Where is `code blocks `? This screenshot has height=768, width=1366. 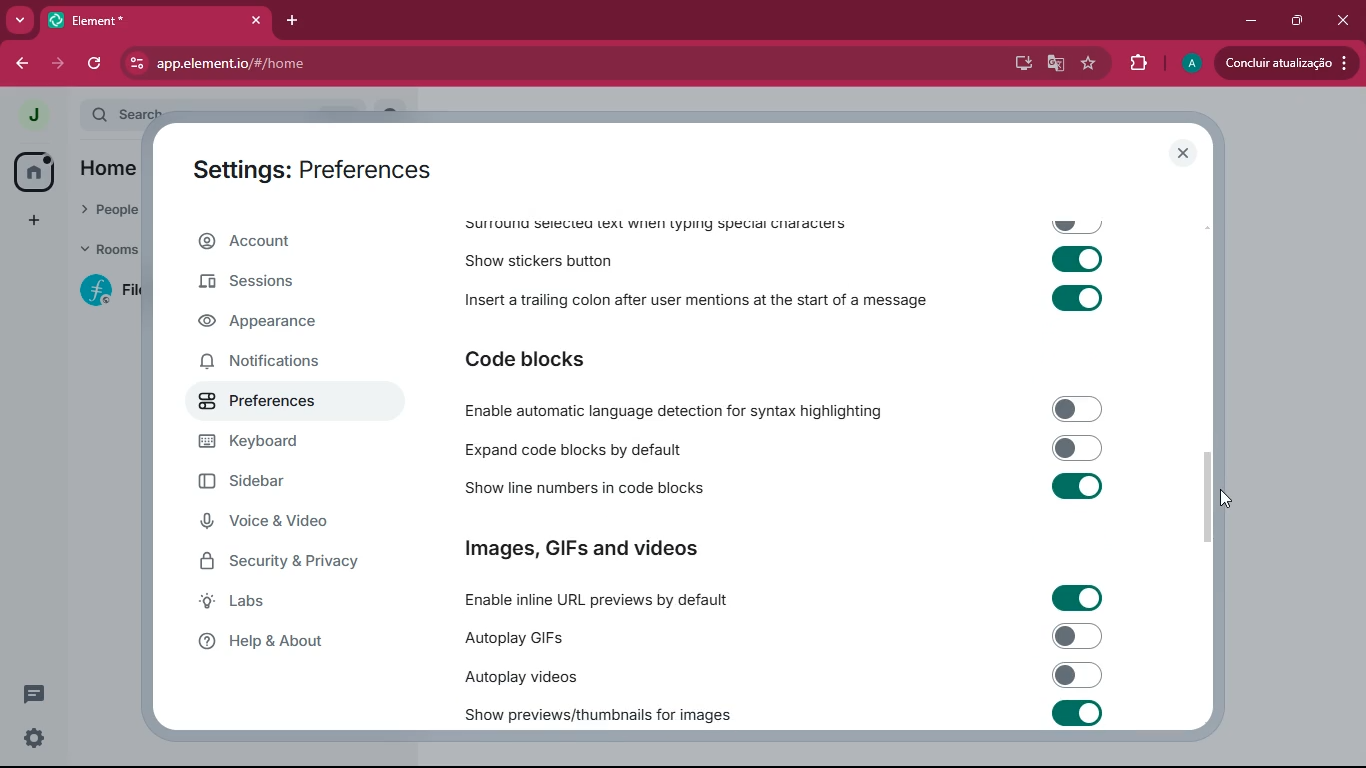
code blocks  is located at coordinates (537, 357).